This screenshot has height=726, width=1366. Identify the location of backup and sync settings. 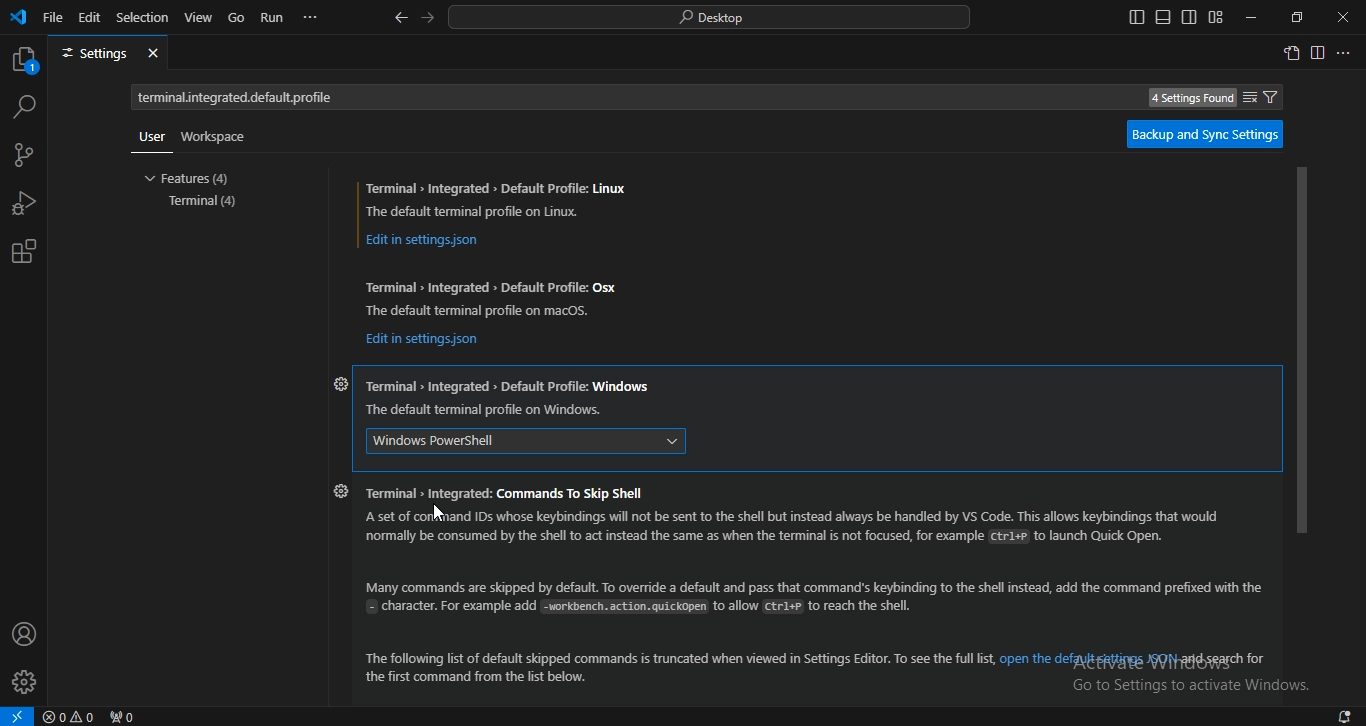
(1210, 132).